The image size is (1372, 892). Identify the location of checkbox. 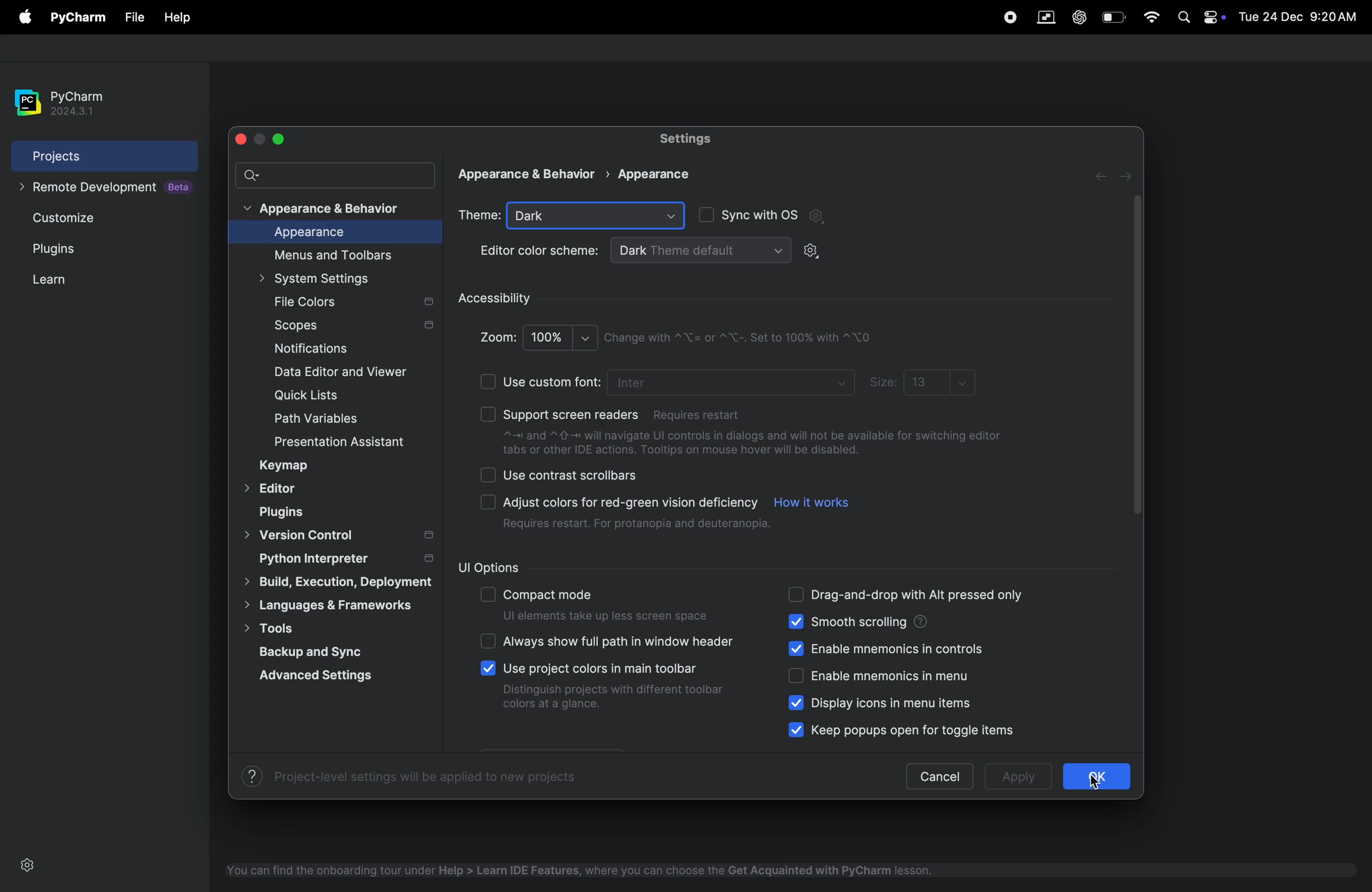
(490, 502).